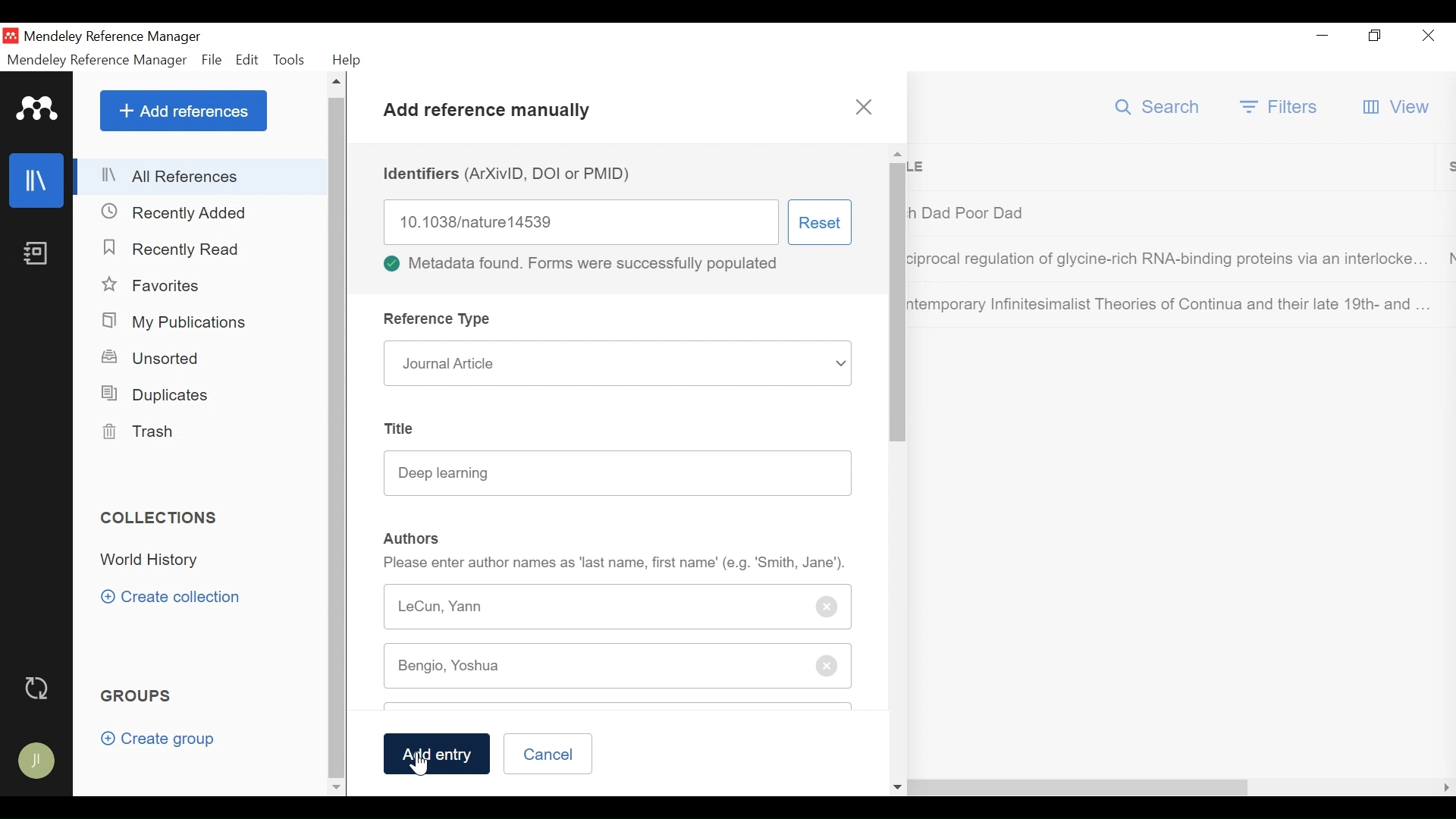 Image resolution: width=1456 pixels, height=819 pixels. Describe the element at coordinates (171, 598) in the screenshot. I see `Create Collection` at that location.